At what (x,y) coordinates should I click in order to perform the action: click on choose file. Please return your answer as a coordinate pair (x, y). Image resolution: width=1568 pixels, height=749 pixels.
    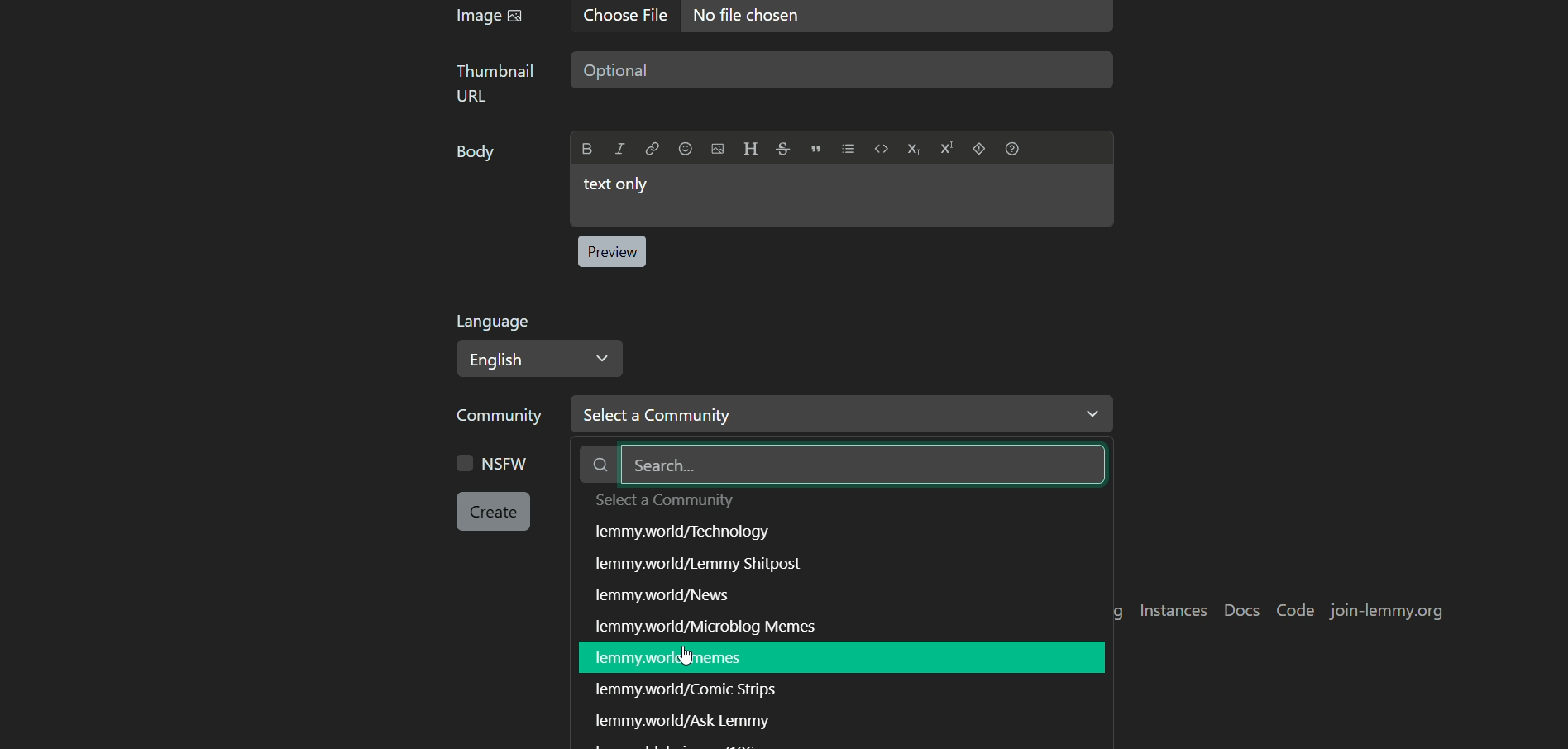
    Looking at the image, I should click on (629, 17).